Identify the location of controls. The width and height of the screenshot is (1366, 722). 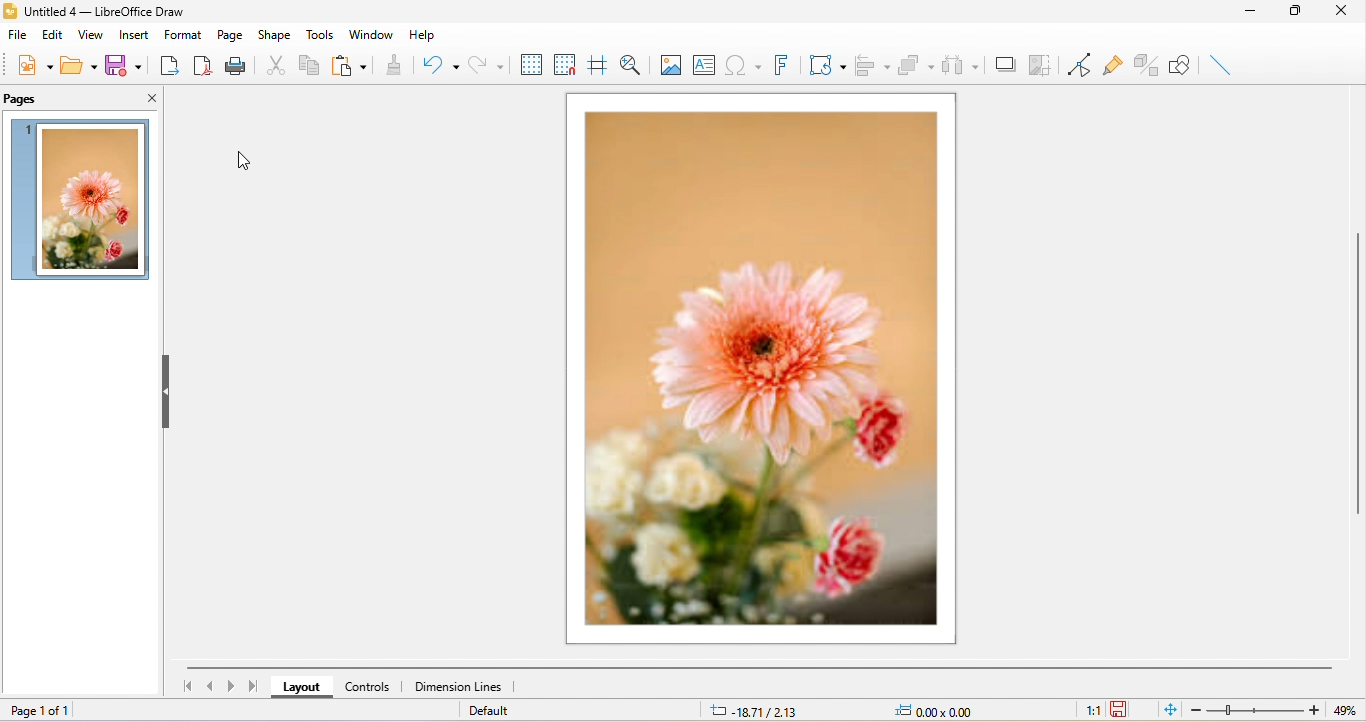
(369, 688).